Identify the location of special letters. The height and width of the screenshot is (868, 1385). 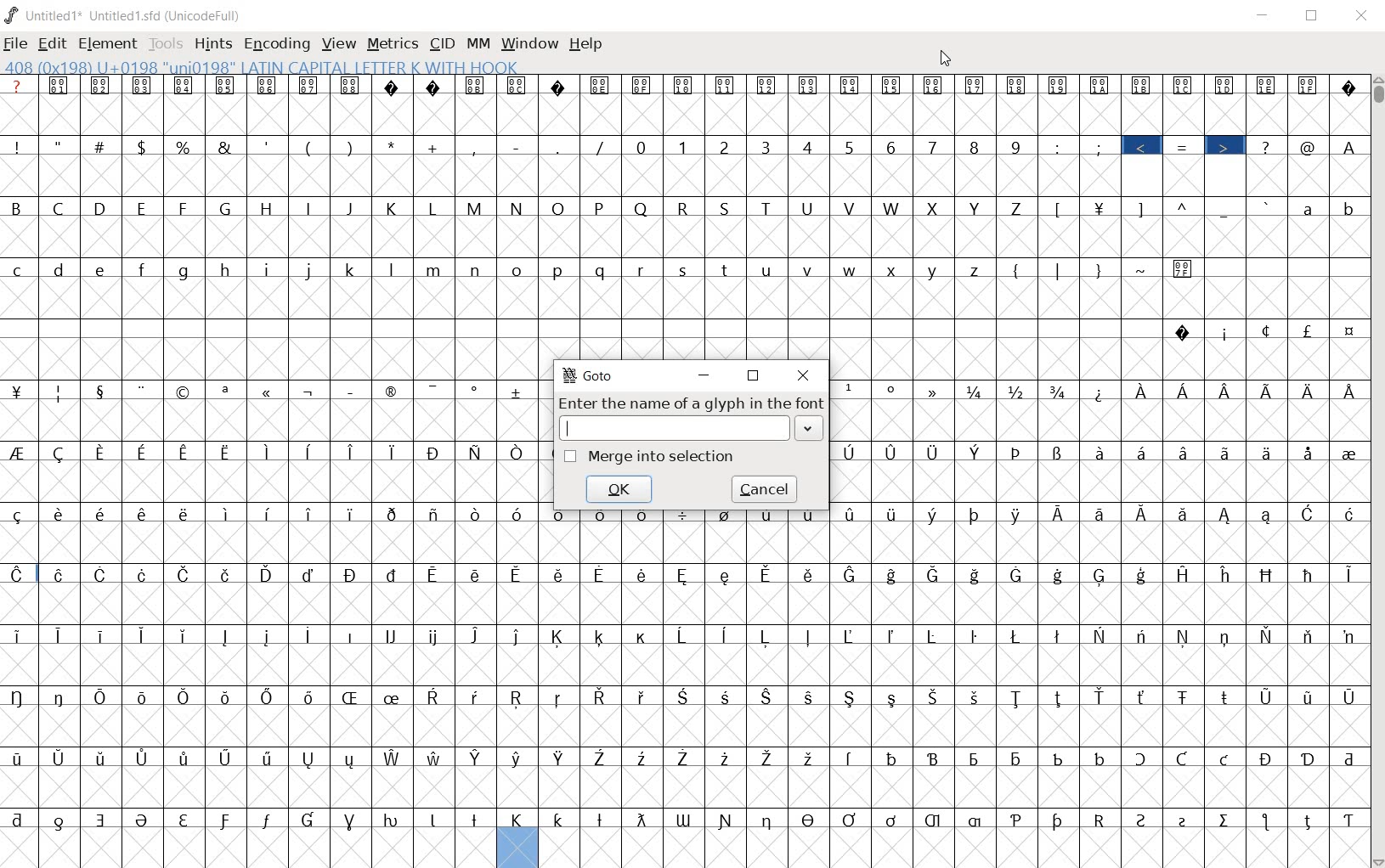
(689, 759).